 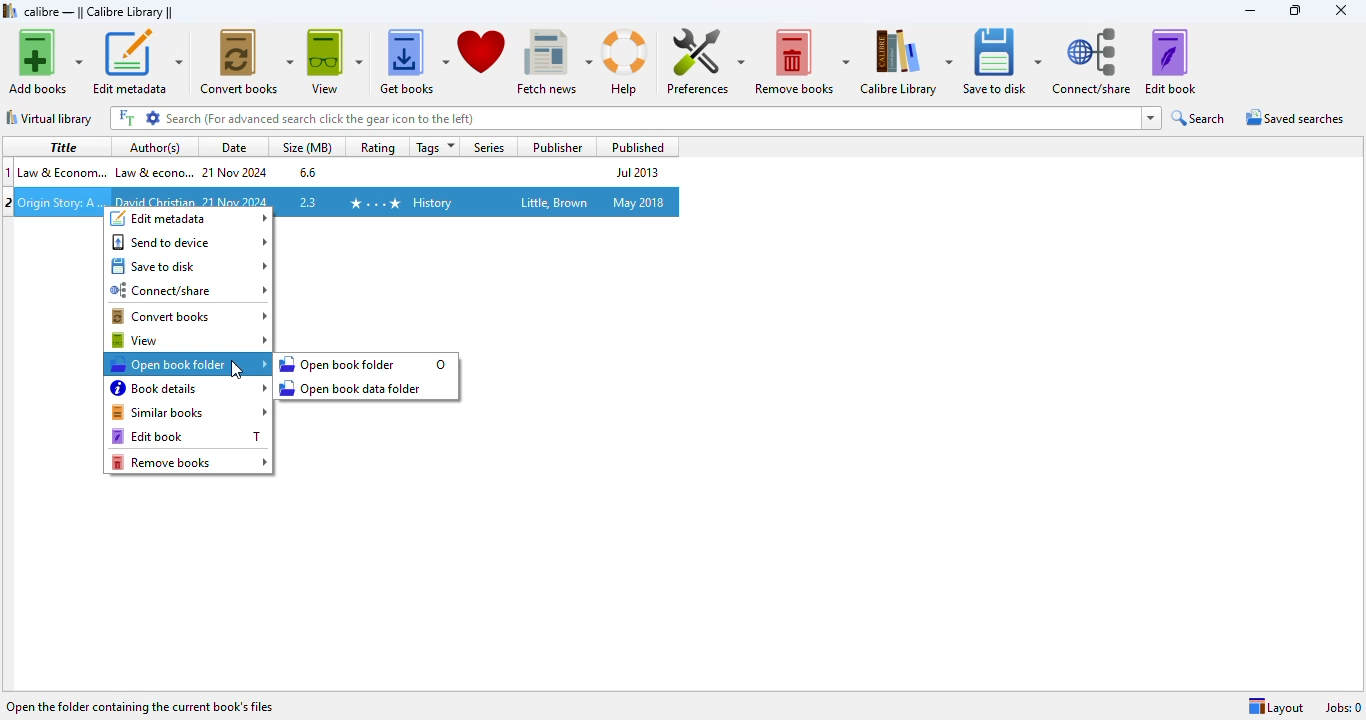 What do you see at coordinates (432, 147) in the screenshot?
I see `tags` at bounding box center [432, 147].